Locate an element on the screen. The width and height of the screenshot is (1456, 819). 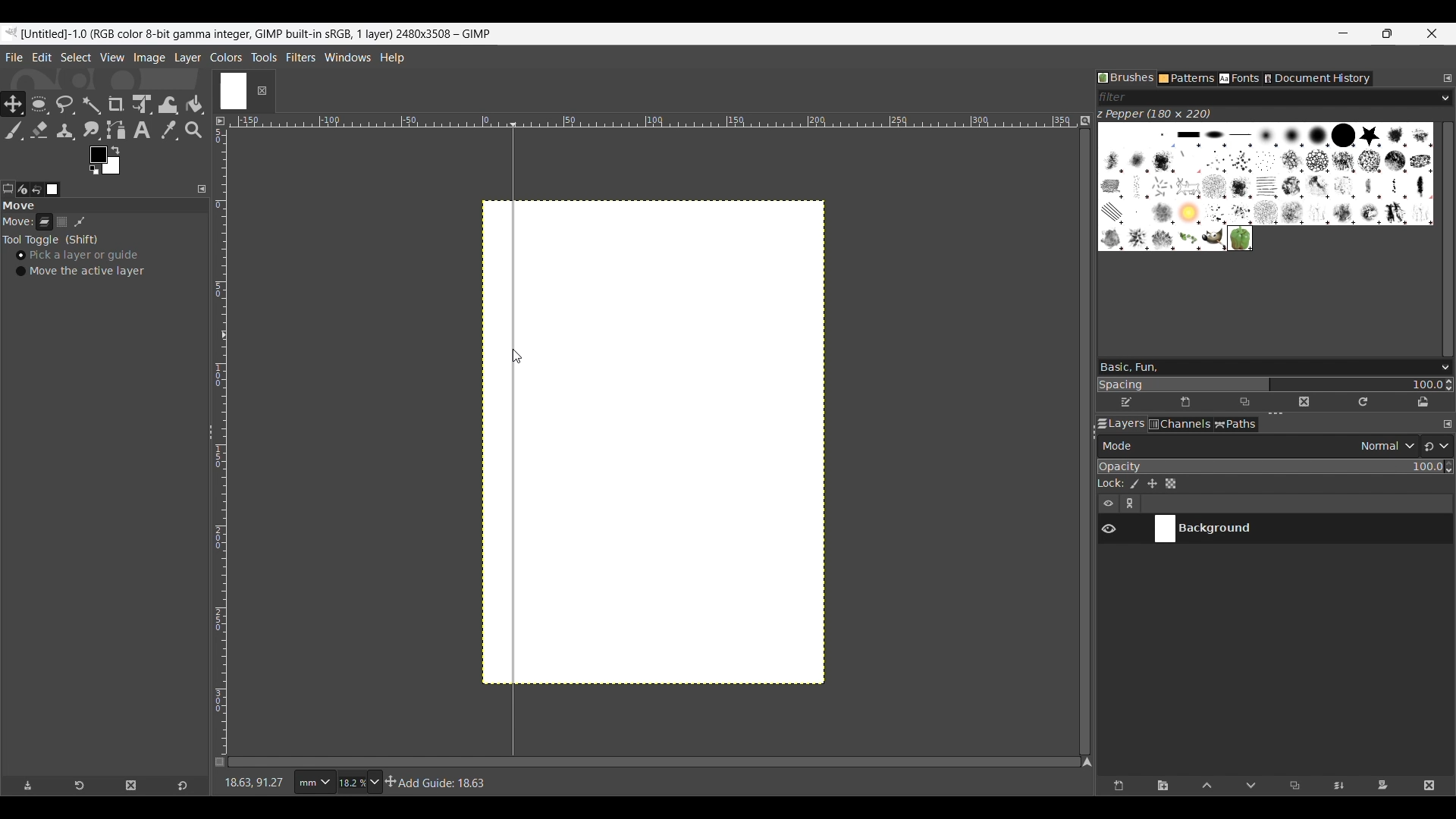
Undo history is located at coordinates (39, 190).